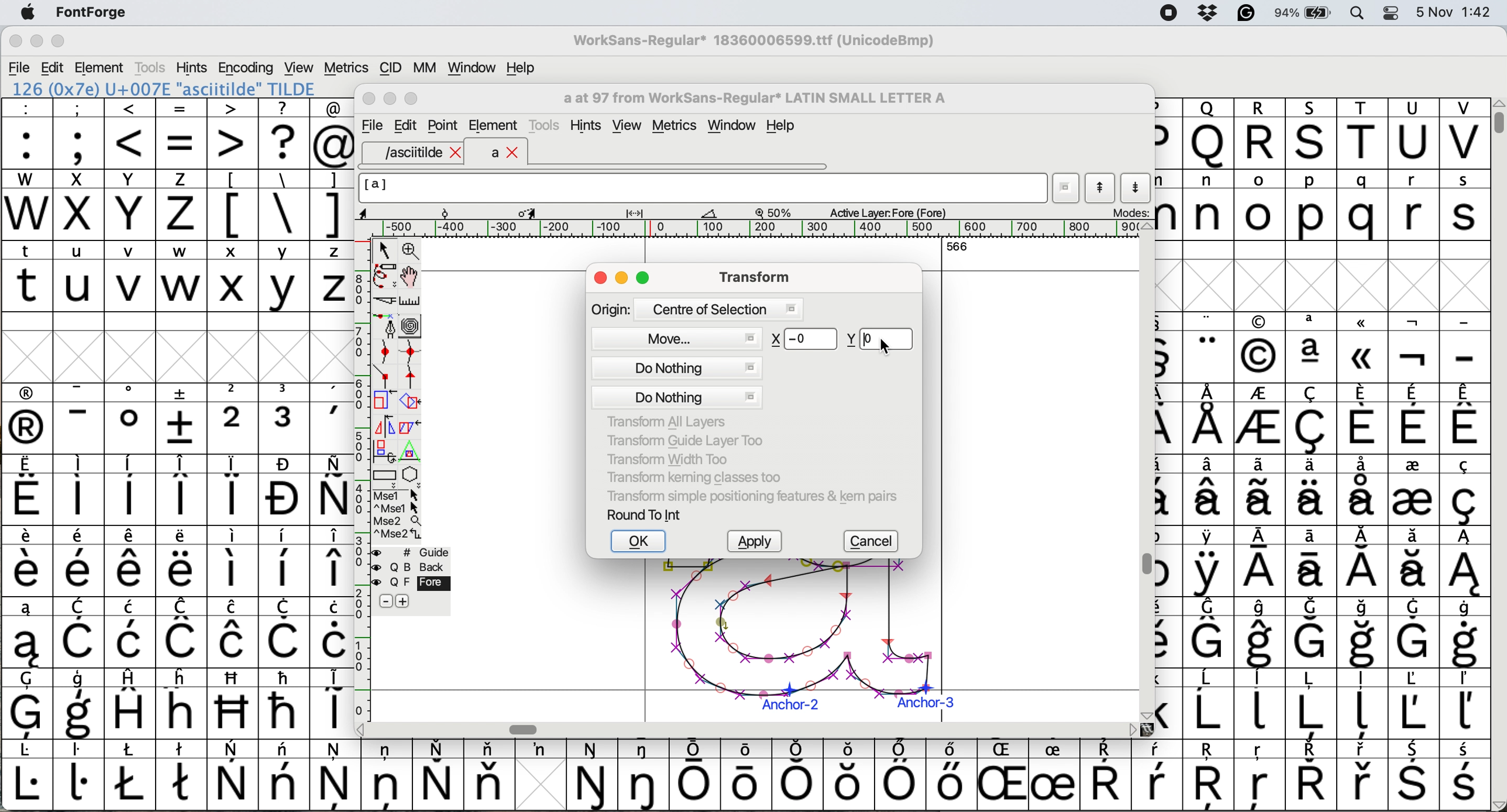 Image resolution: width=1507 pixels, height=812 pixels. What do you see at coordinates (701, 188) in the screenshot?
I see `glyph name` at bounding box center [701, 188].